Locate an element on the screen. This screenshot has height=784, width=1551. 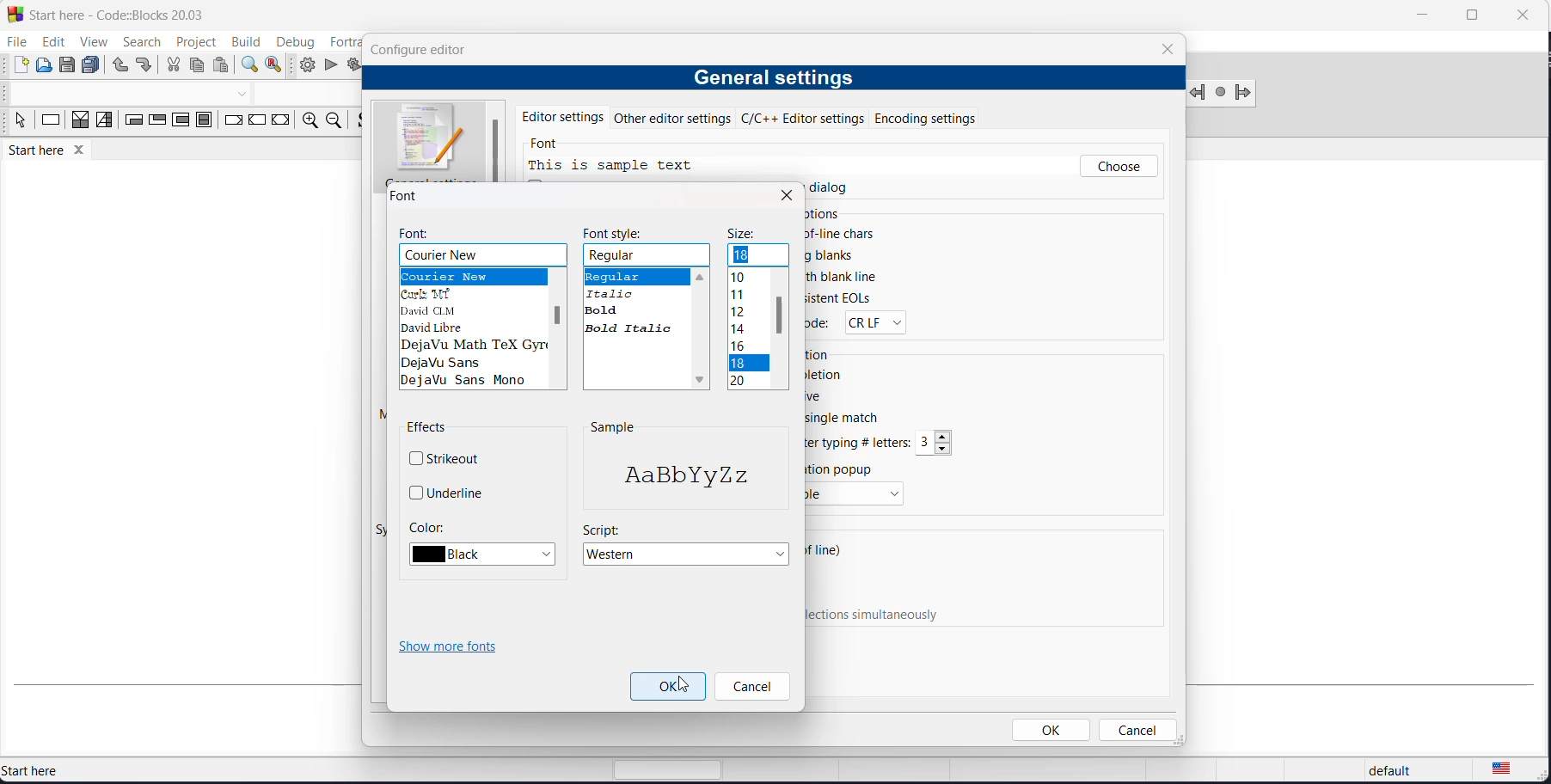
ition is located at coordinates (821, 354).